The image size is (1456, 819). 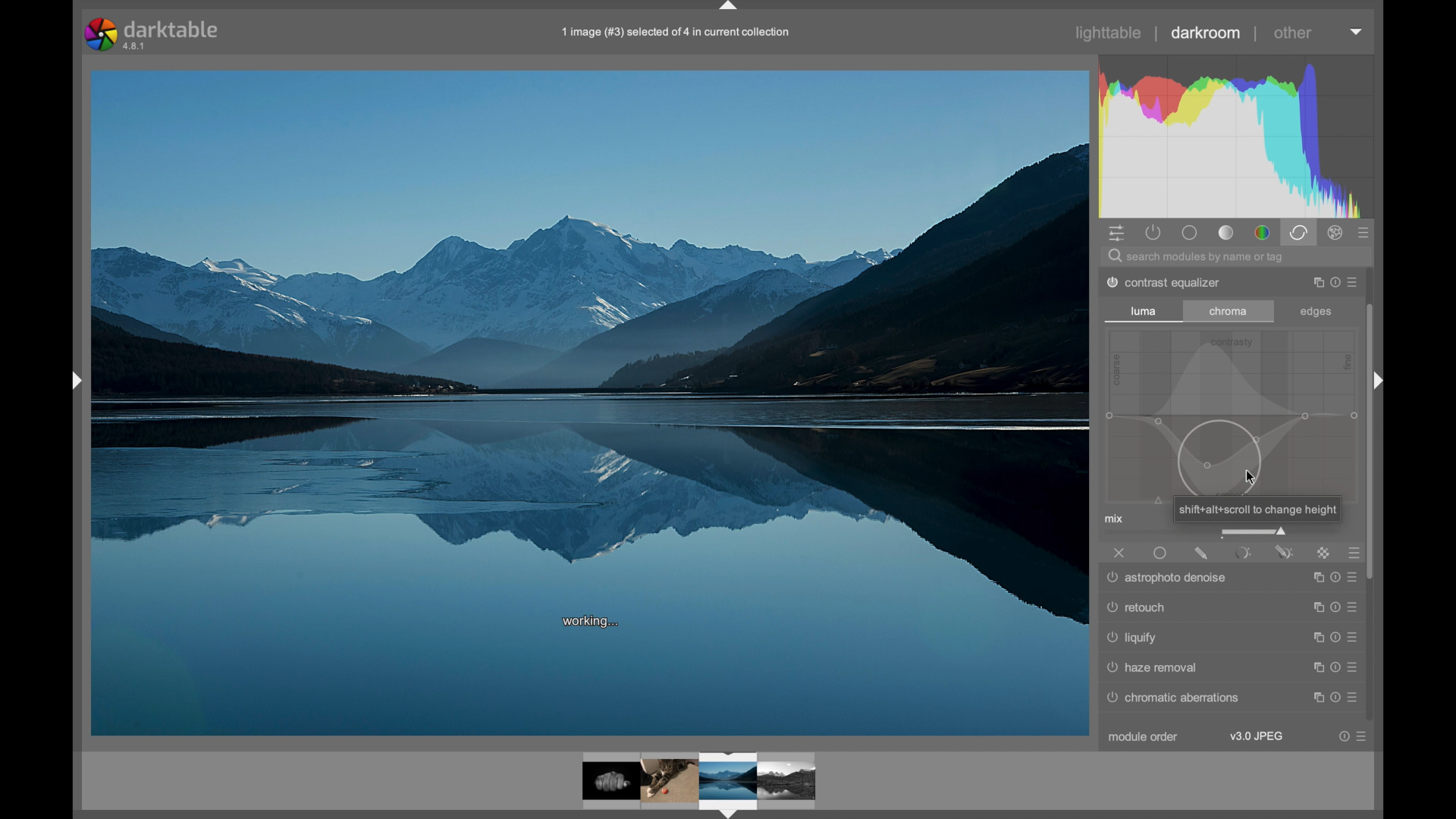 I want to click on raster mask, so click(x=1324, y=554).